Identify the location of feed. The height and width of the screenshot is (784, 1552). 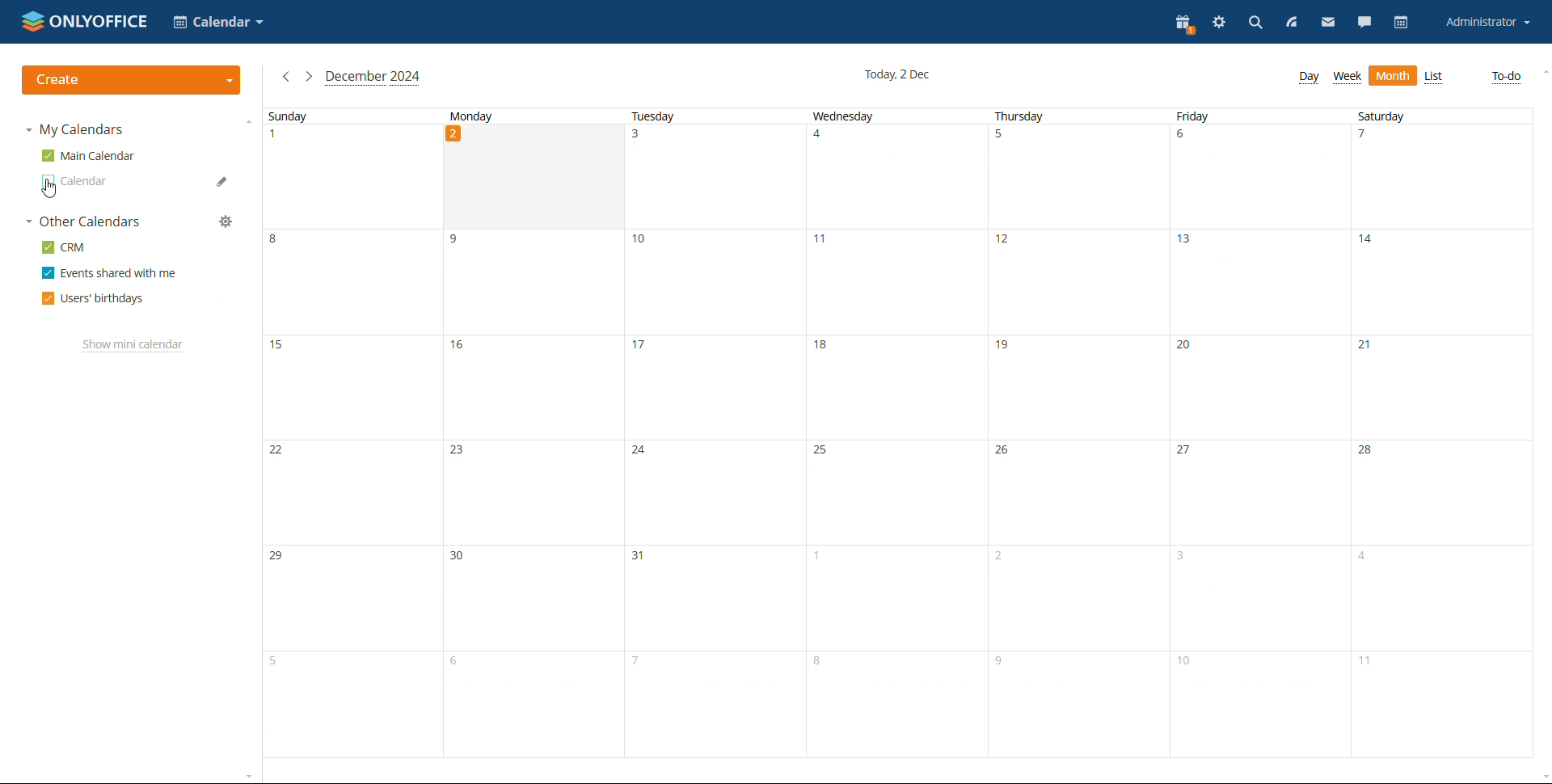
(1290, 24).